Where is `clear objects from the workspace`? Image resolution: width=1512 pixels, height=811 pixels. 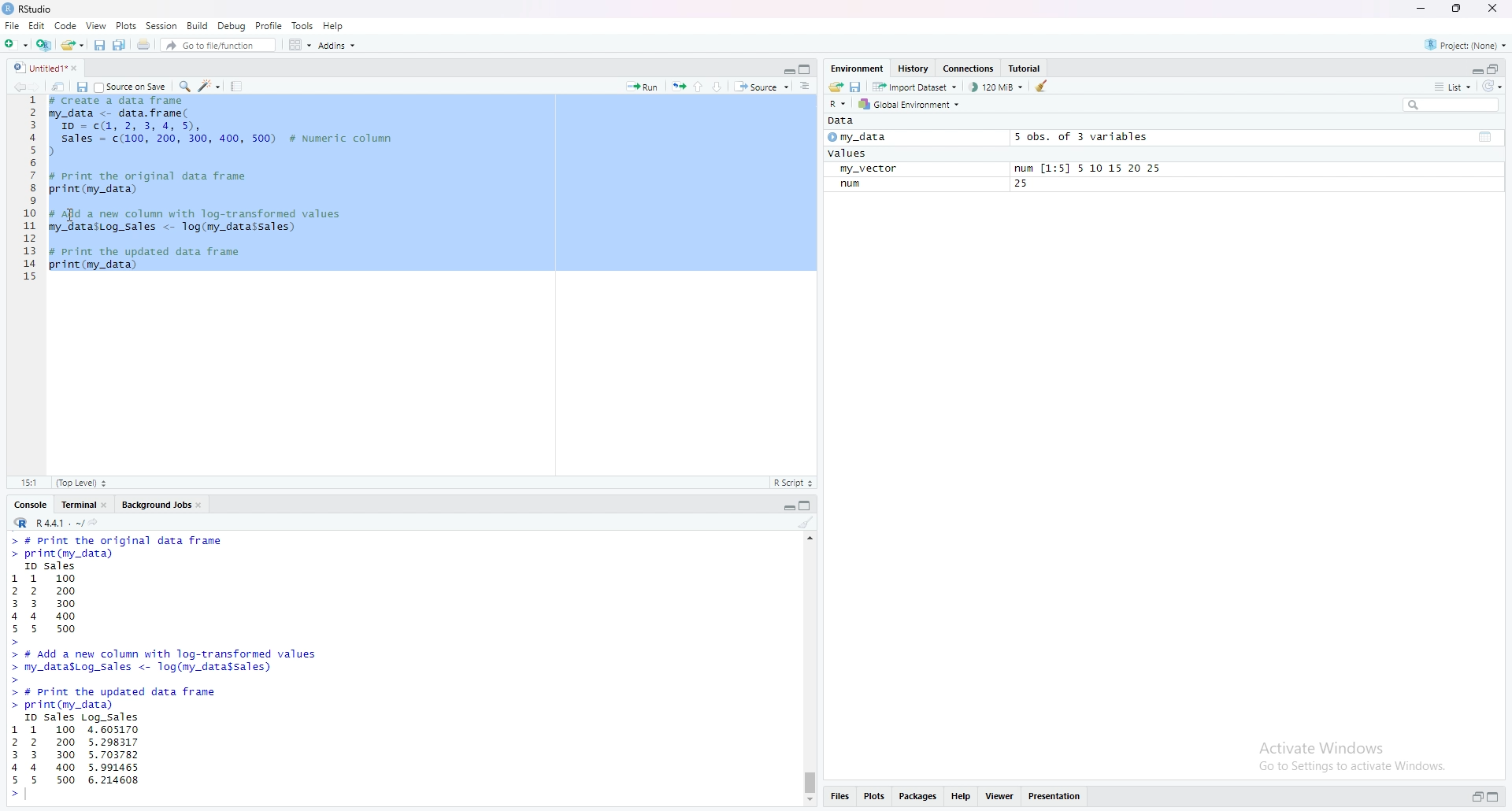
clear objects from the workspace is located at coordinates (1043, 88).